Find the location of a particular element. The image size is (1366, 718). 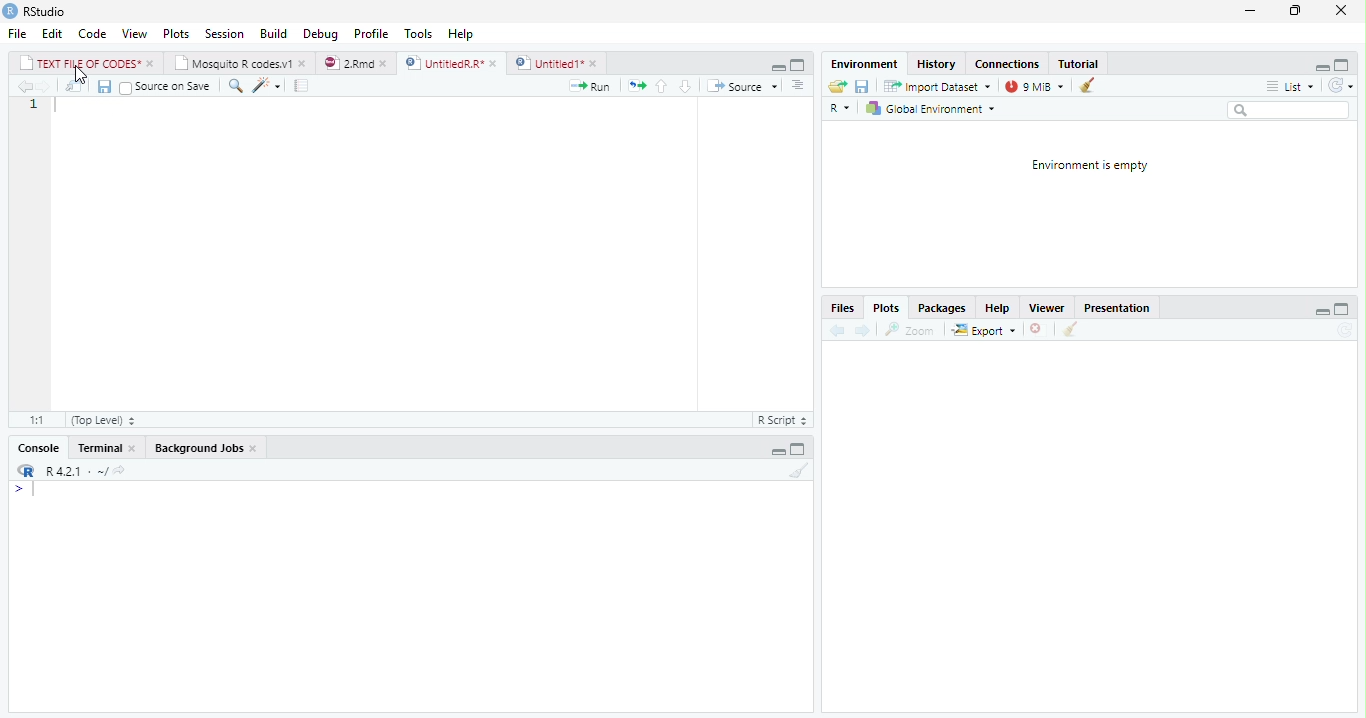

go forward is located at coordinates (863, 332).